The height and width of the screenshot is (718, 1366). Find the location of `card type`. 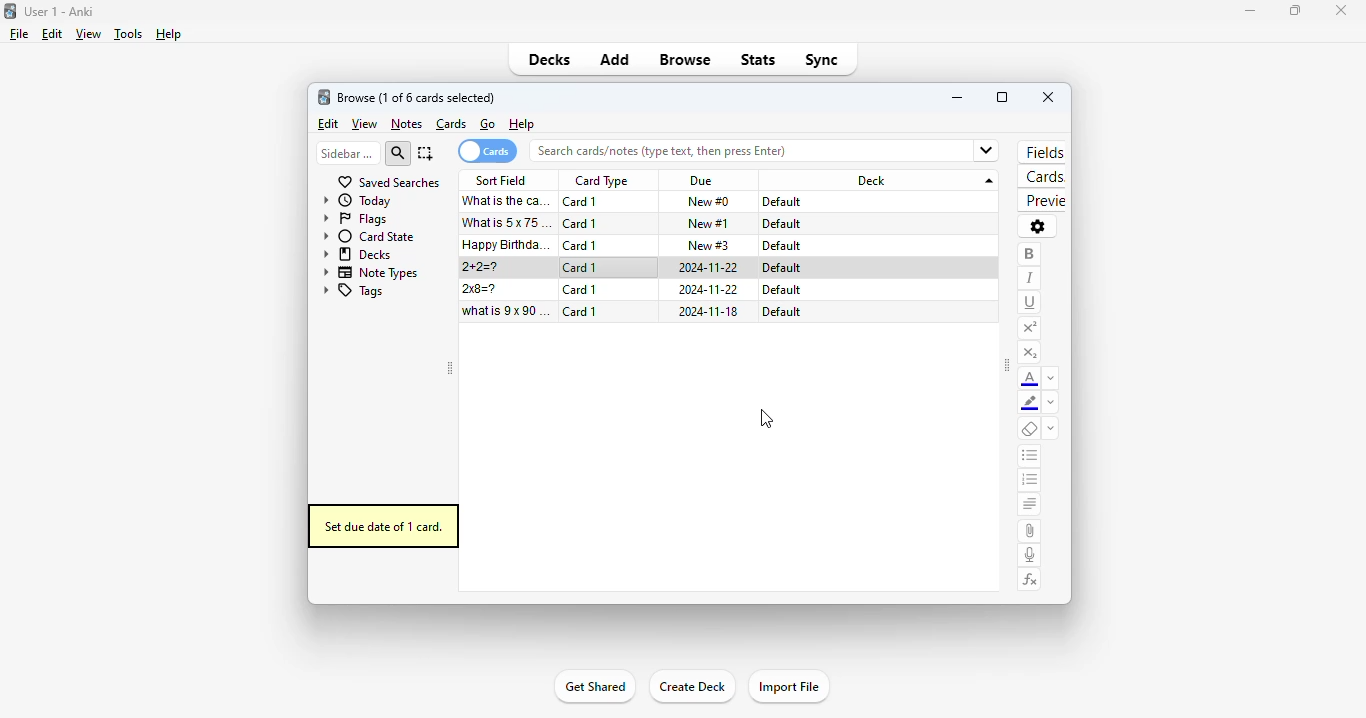

card type is located at coordinates (601, 181).